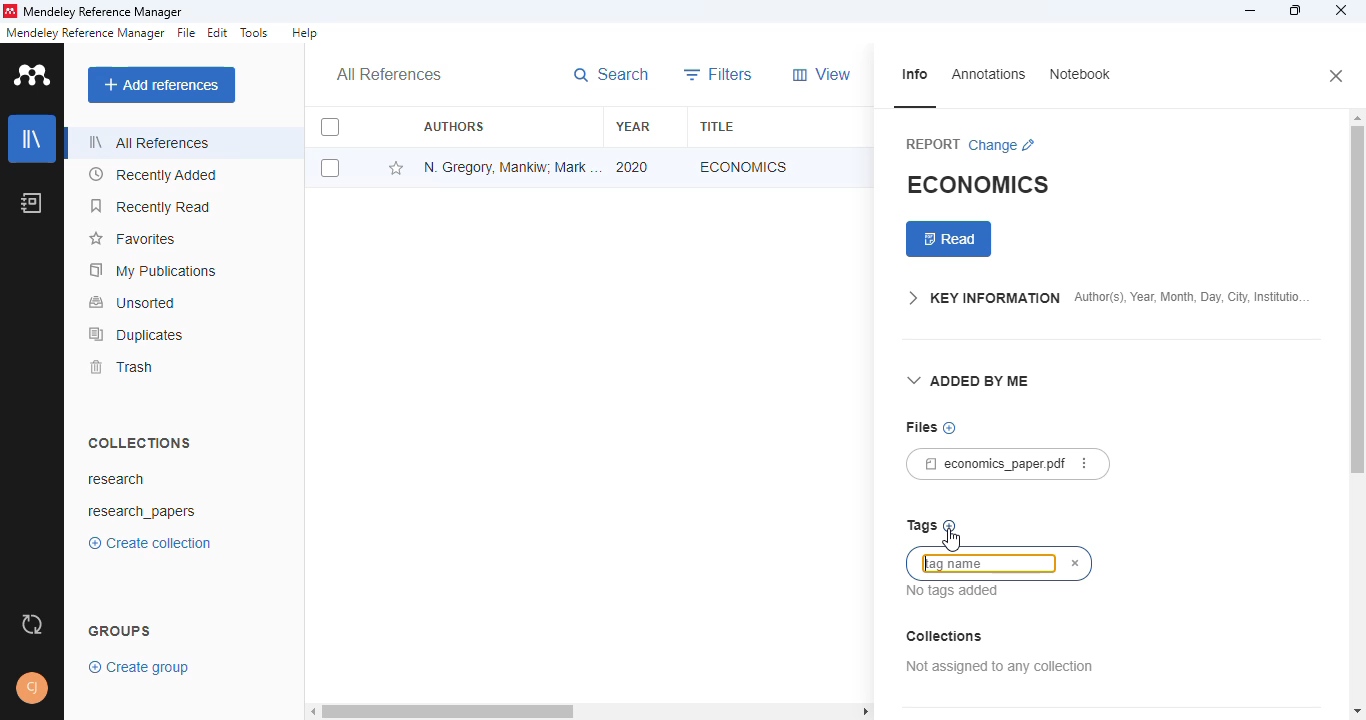 This screenshot has height=720, width=1366. Describe the element at coordinates (32, 689) in the screenshot. I see `profile` at that location.